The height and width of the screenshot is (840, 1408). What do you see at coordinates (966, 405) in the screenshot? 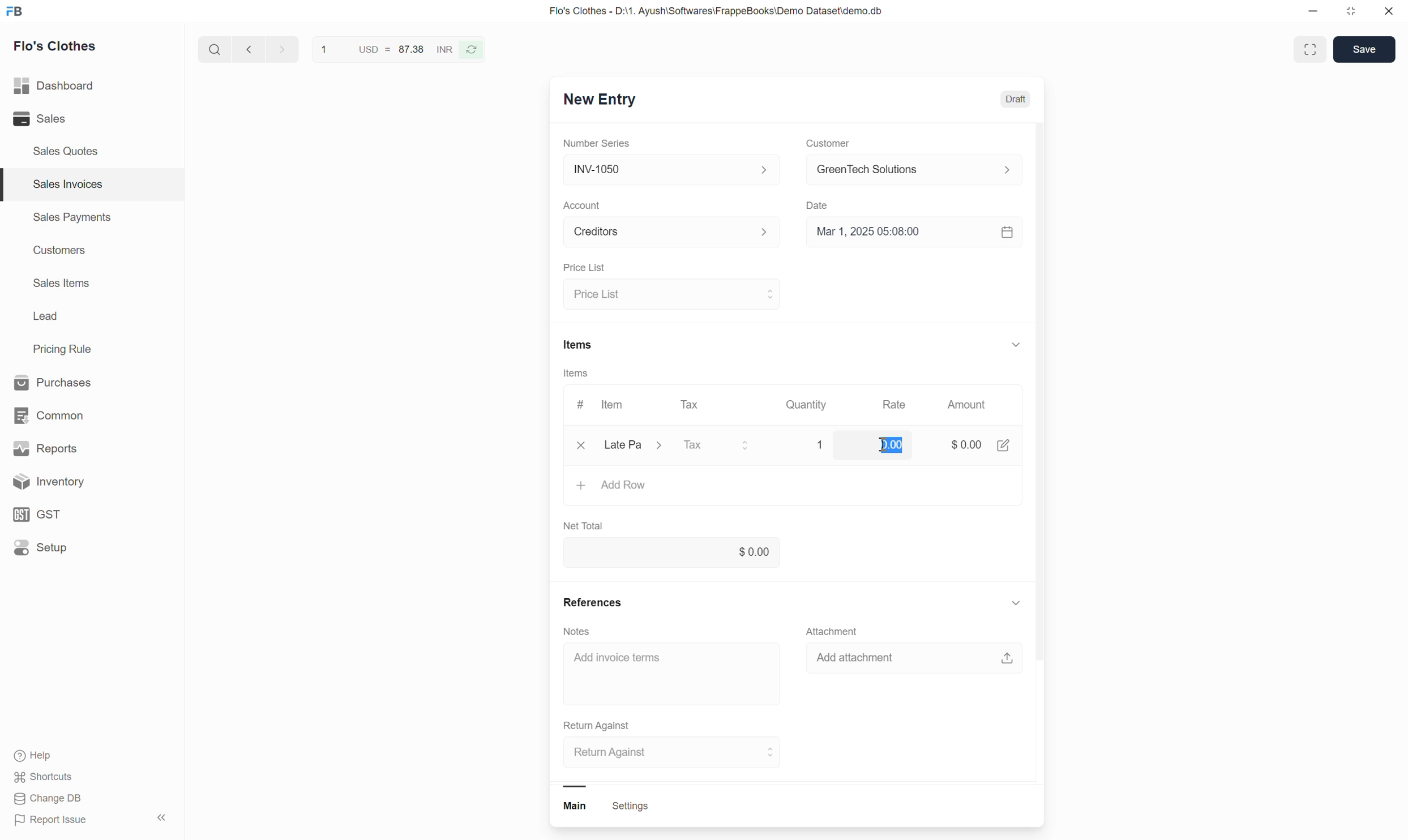
I see `Amount` at bounding box center [966, 405].